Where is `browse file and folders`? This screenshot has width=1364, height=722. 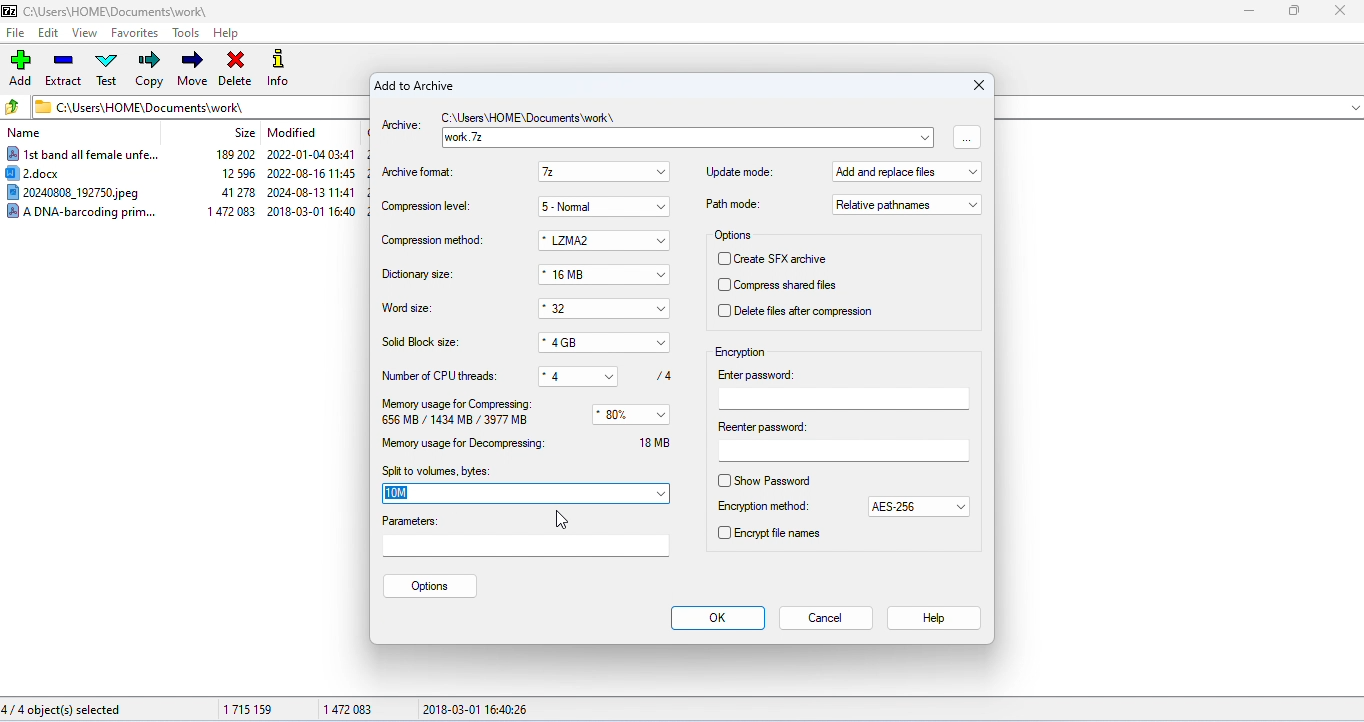
browse file and folders is located at coordinates (968, 136).